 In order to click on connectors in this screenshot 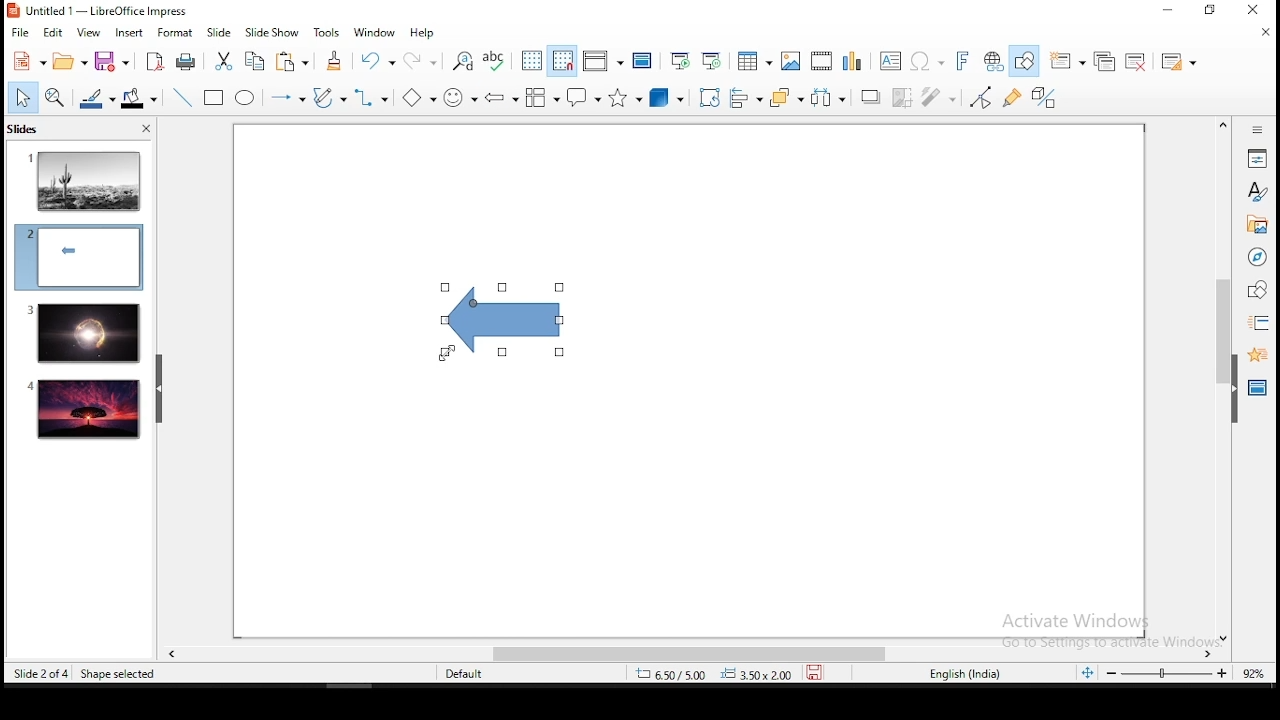, I will do `click(371, 98)`.